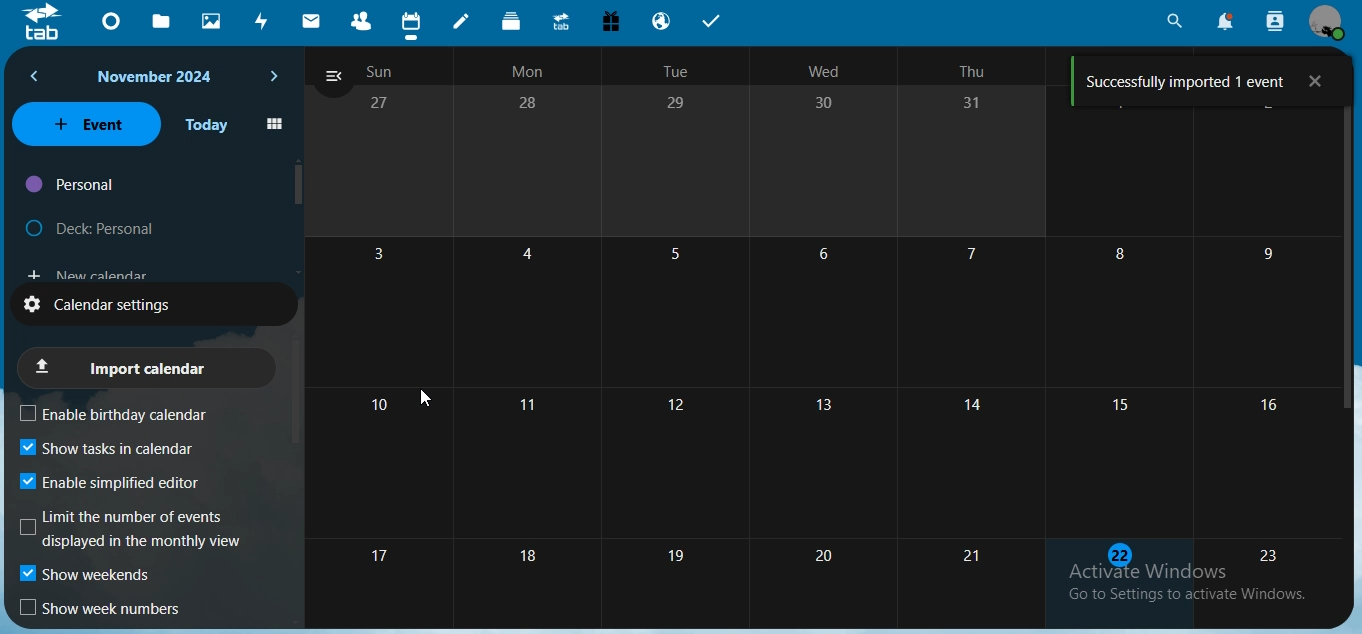  I want to click on notes, so click(465, 22).